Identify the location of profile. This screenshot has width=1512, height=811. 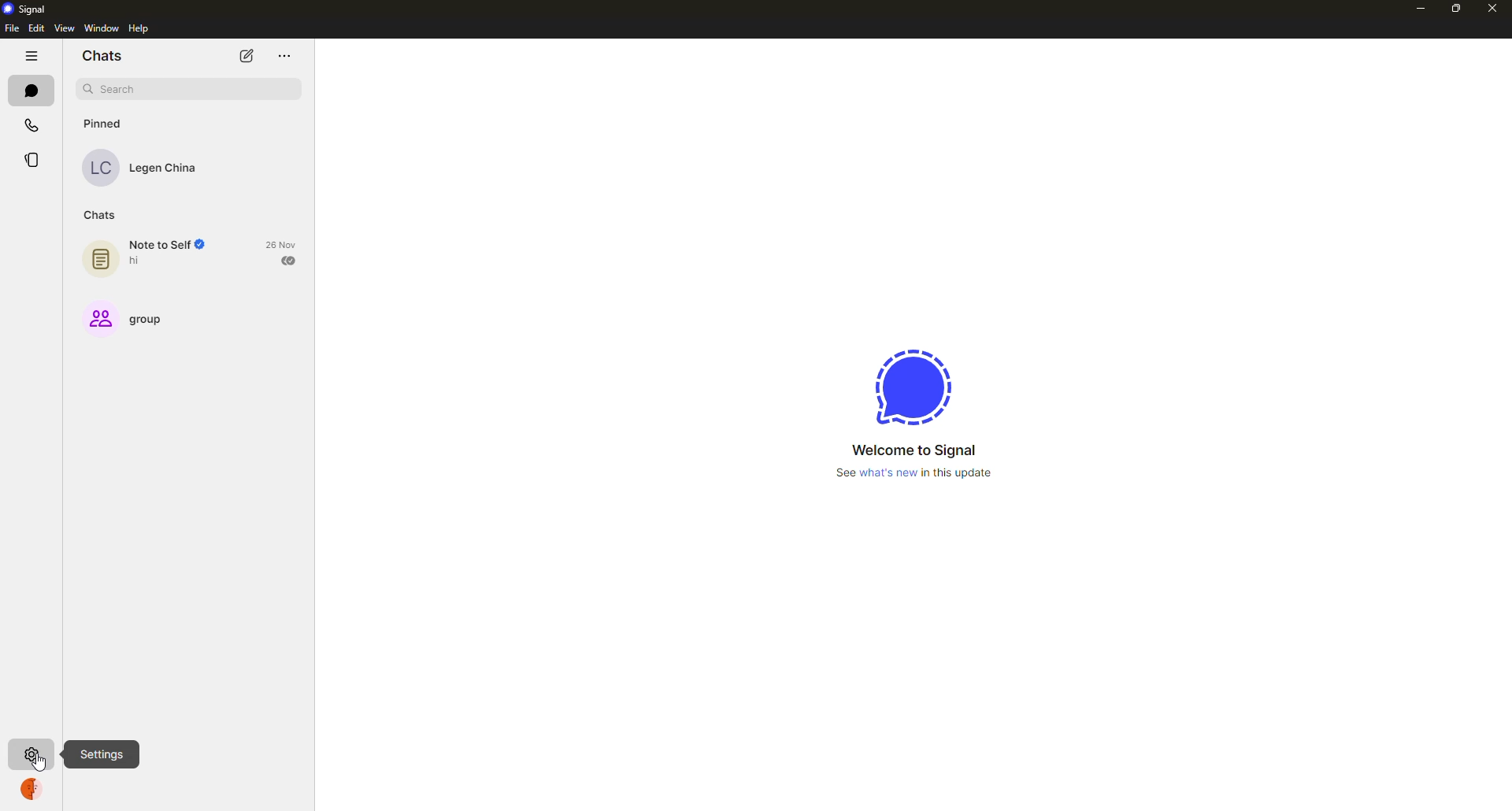
(30, 790).